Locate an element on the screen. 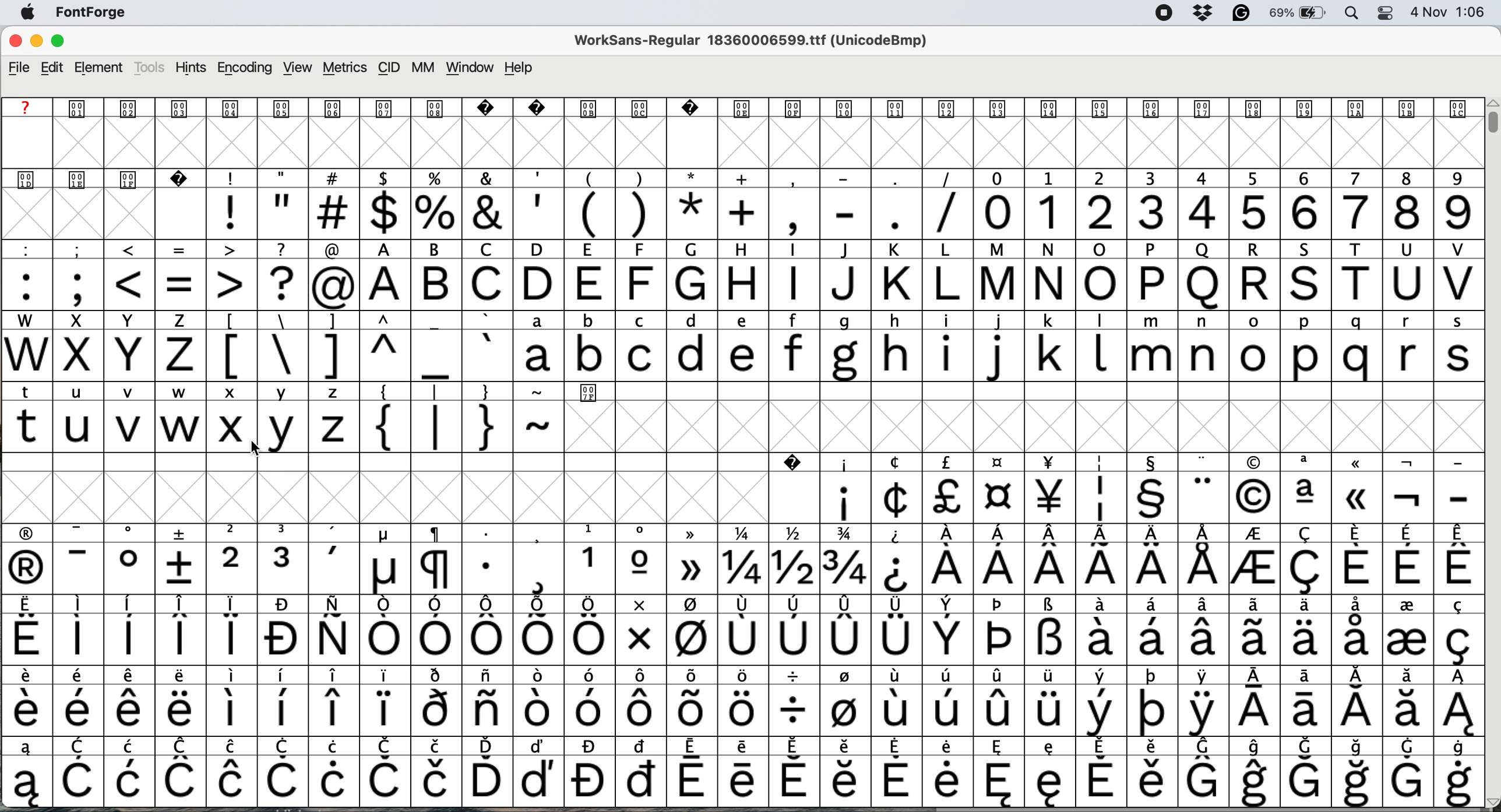 The height and width of the screenshot is (812, 1501). text is located at coordinates (744, 106).